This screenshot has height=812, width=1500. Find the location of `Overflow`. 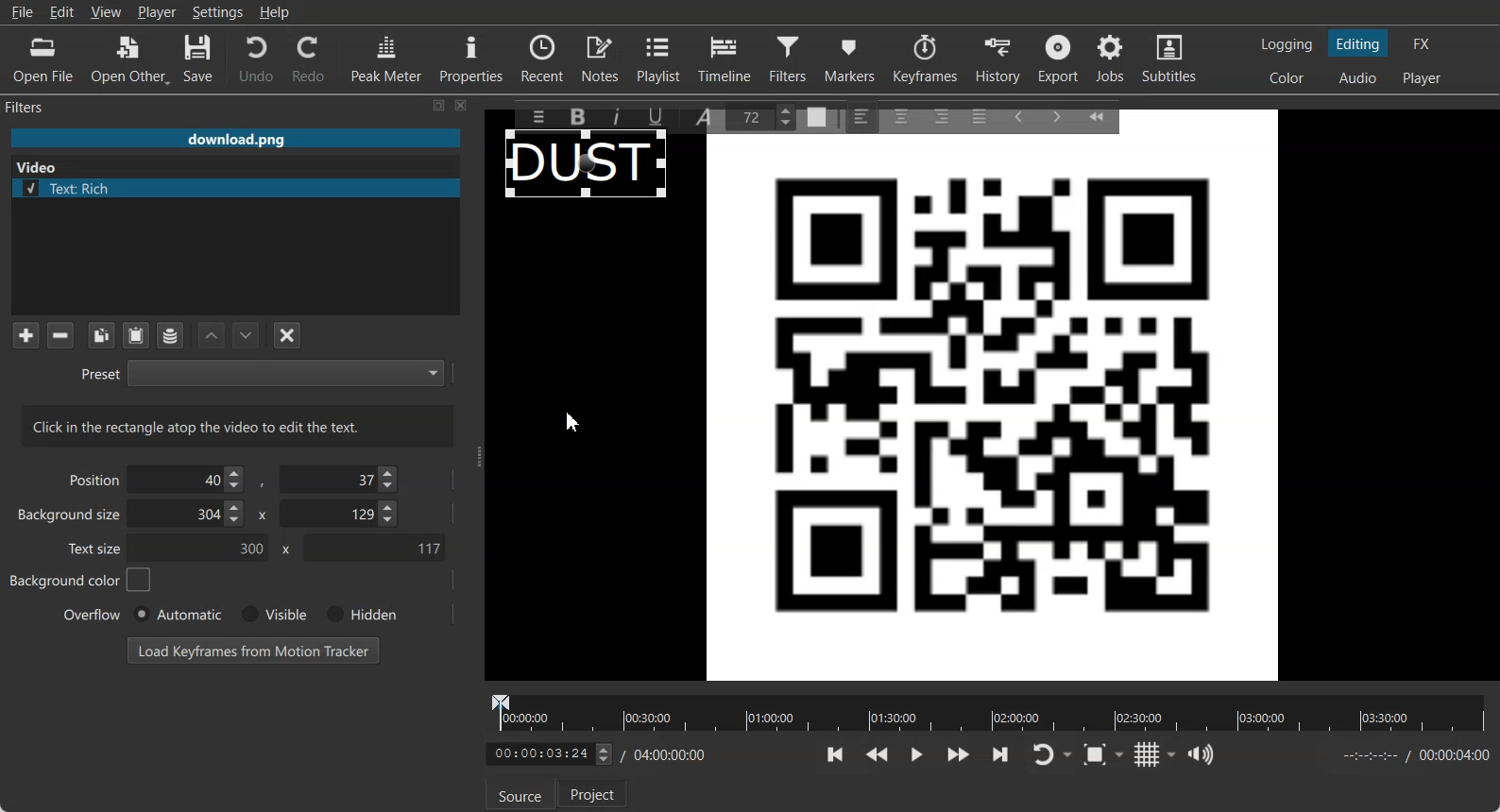

Overflow is located at coordinates (93, 614).